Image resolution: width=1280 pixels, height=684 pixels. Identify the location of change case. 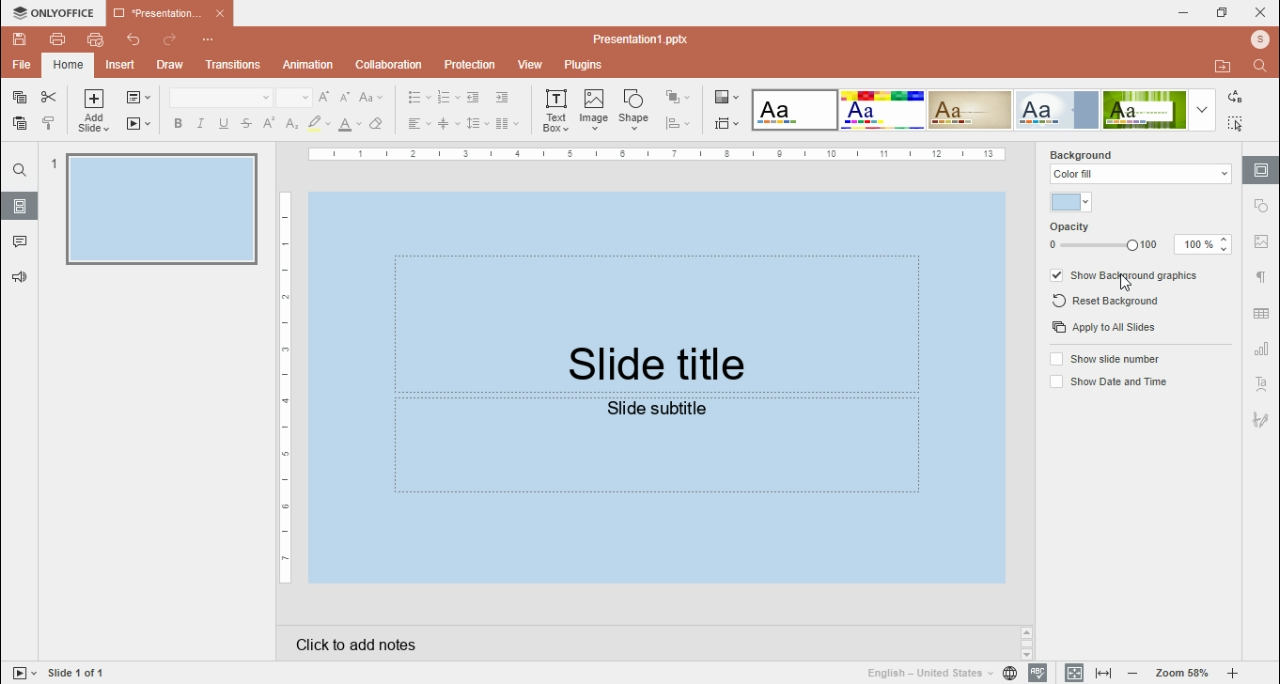
(371, 97).